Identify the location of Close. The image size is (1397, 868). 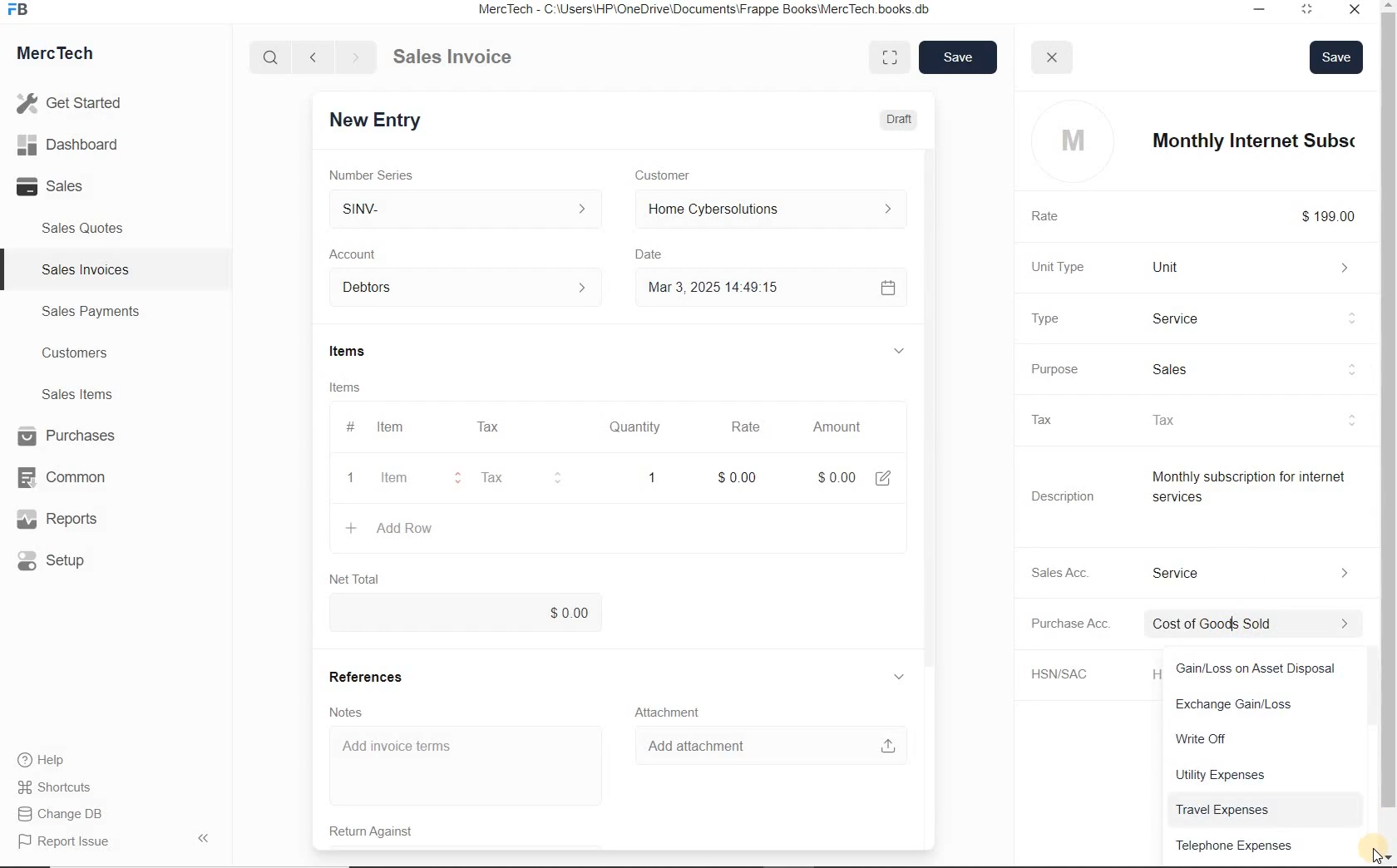
(1359, 12).